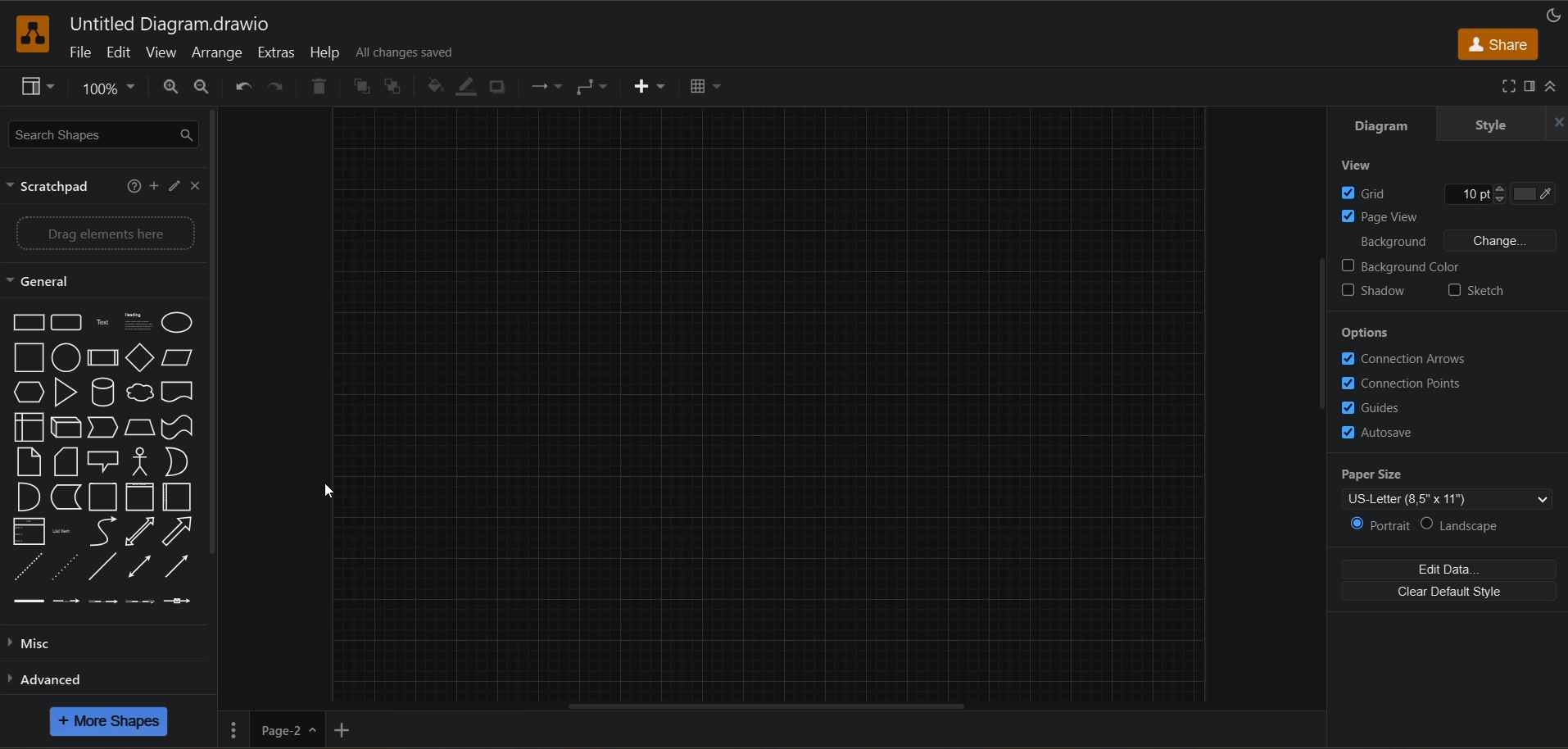 The image size is (1568, 749). I want to click on autosave, so click(1387, 433).